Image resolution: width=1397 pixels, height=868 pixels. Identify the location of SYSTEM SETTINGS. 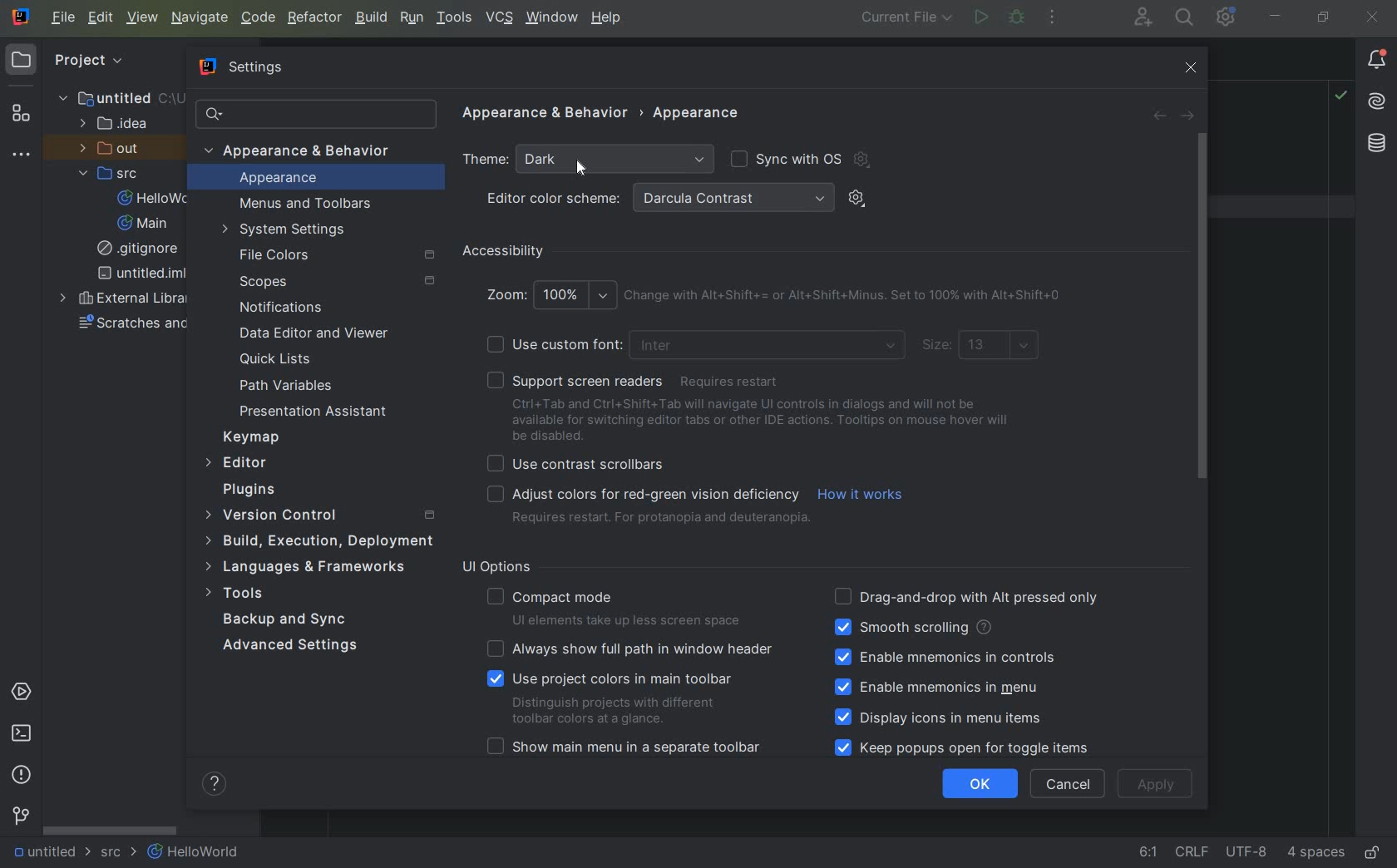
(287, 230).